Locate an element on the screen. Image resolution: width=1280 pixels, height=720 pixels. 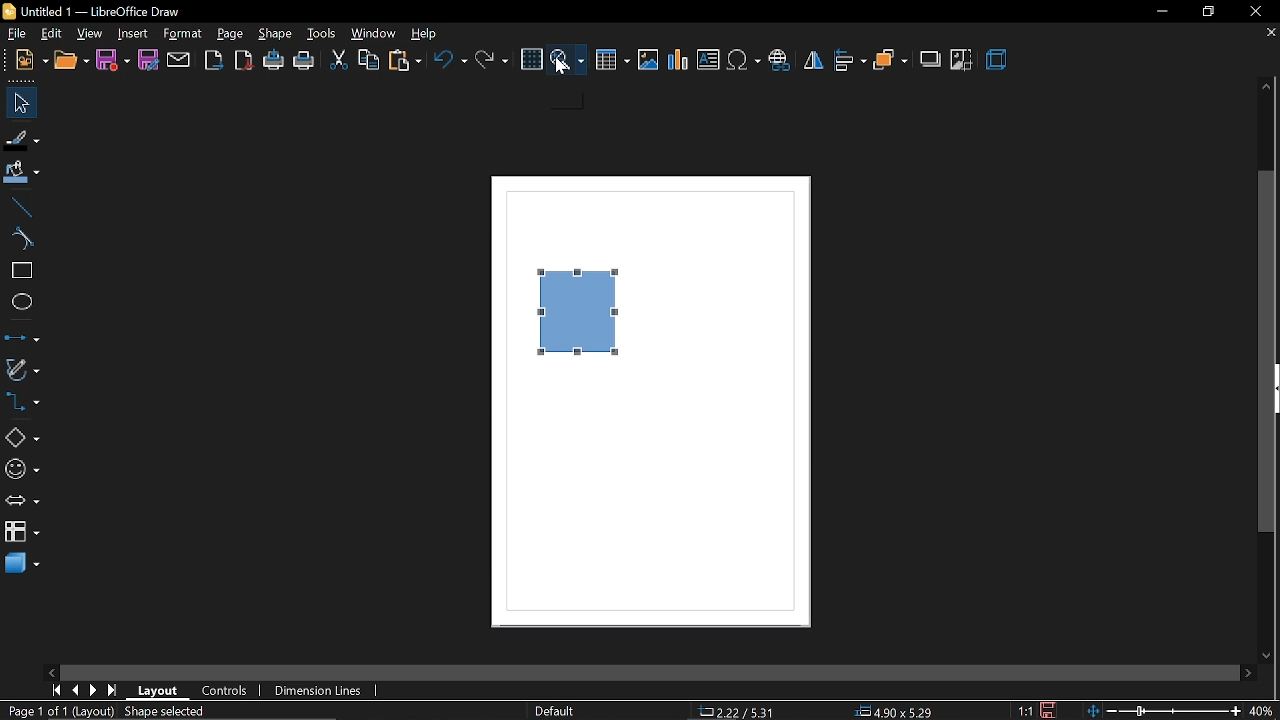
Insert text is located at coordinates (710, 60).